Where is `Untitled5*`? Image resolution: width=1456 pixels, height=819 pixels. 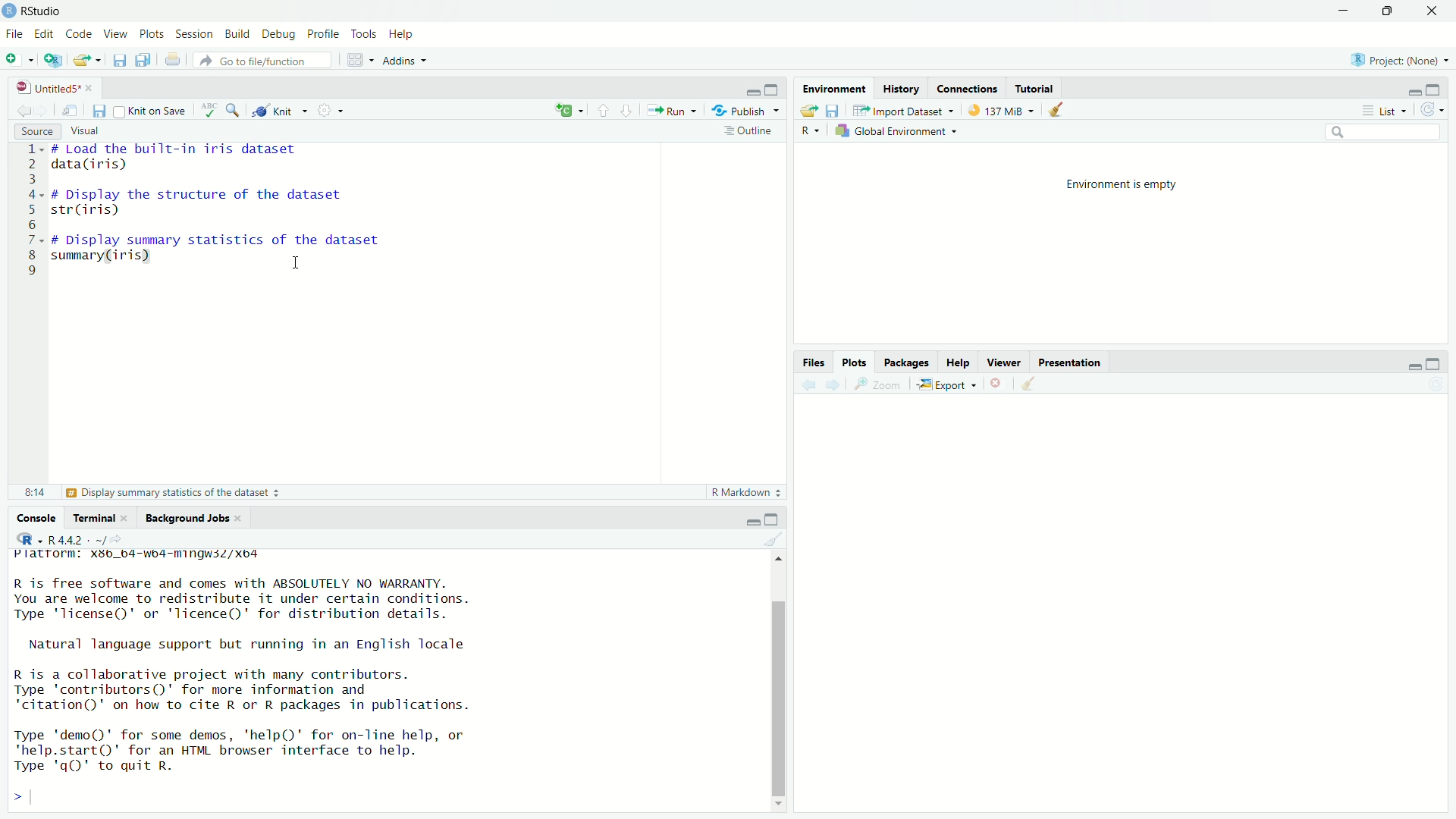 Untitled5* is located at coordinates (53, 87).